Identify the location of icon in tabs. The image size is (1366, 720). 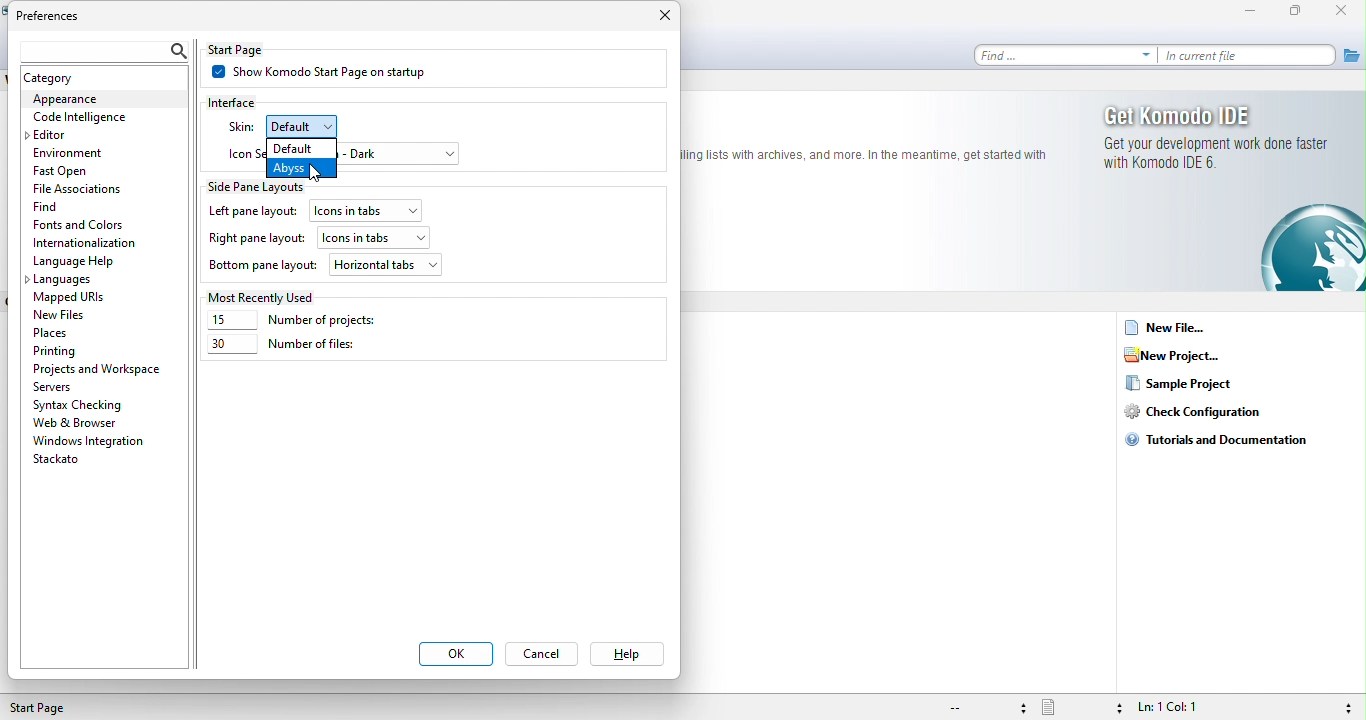
(369, 208).